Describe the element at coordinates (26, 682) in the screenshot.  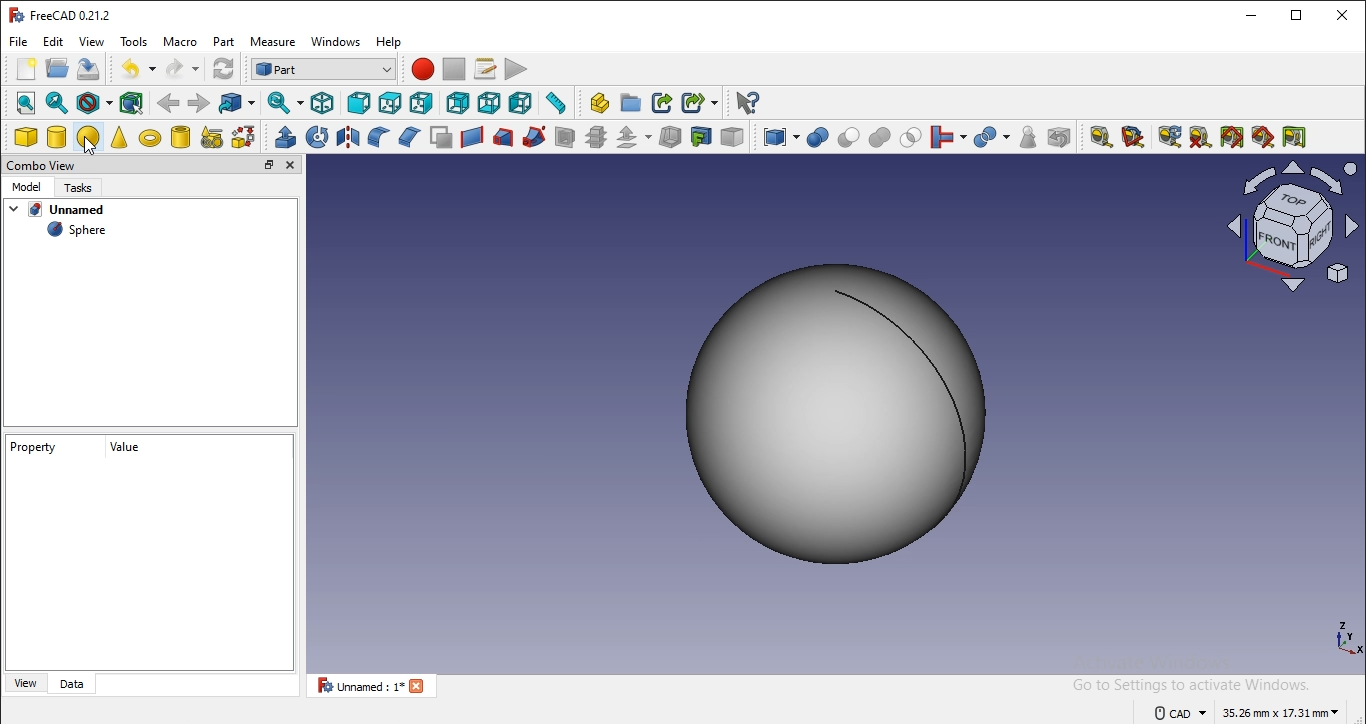
I see `view` at that location.